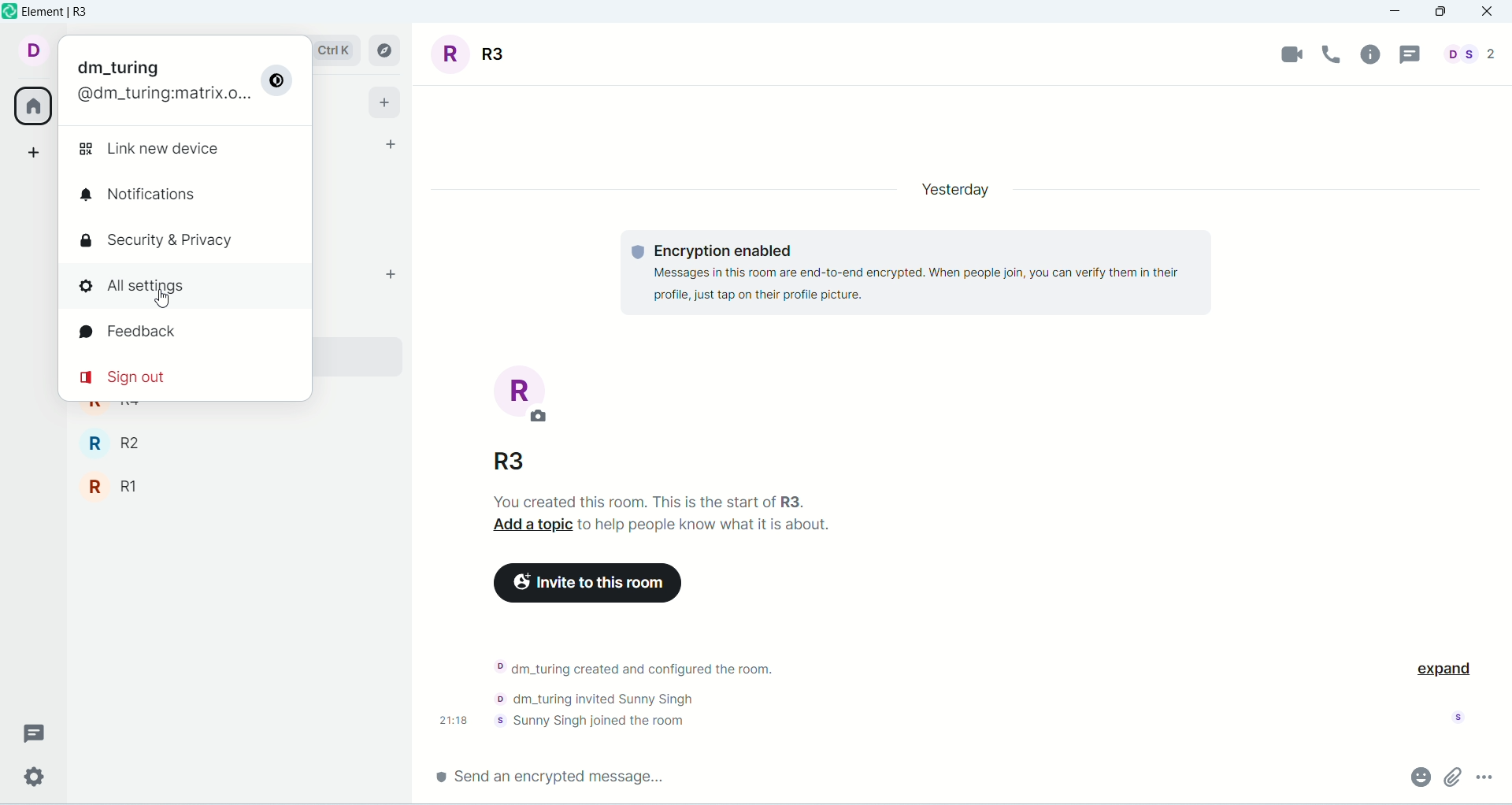 This screenshot has width=1512, height=805. I want to click on R1, so click(212, 488).